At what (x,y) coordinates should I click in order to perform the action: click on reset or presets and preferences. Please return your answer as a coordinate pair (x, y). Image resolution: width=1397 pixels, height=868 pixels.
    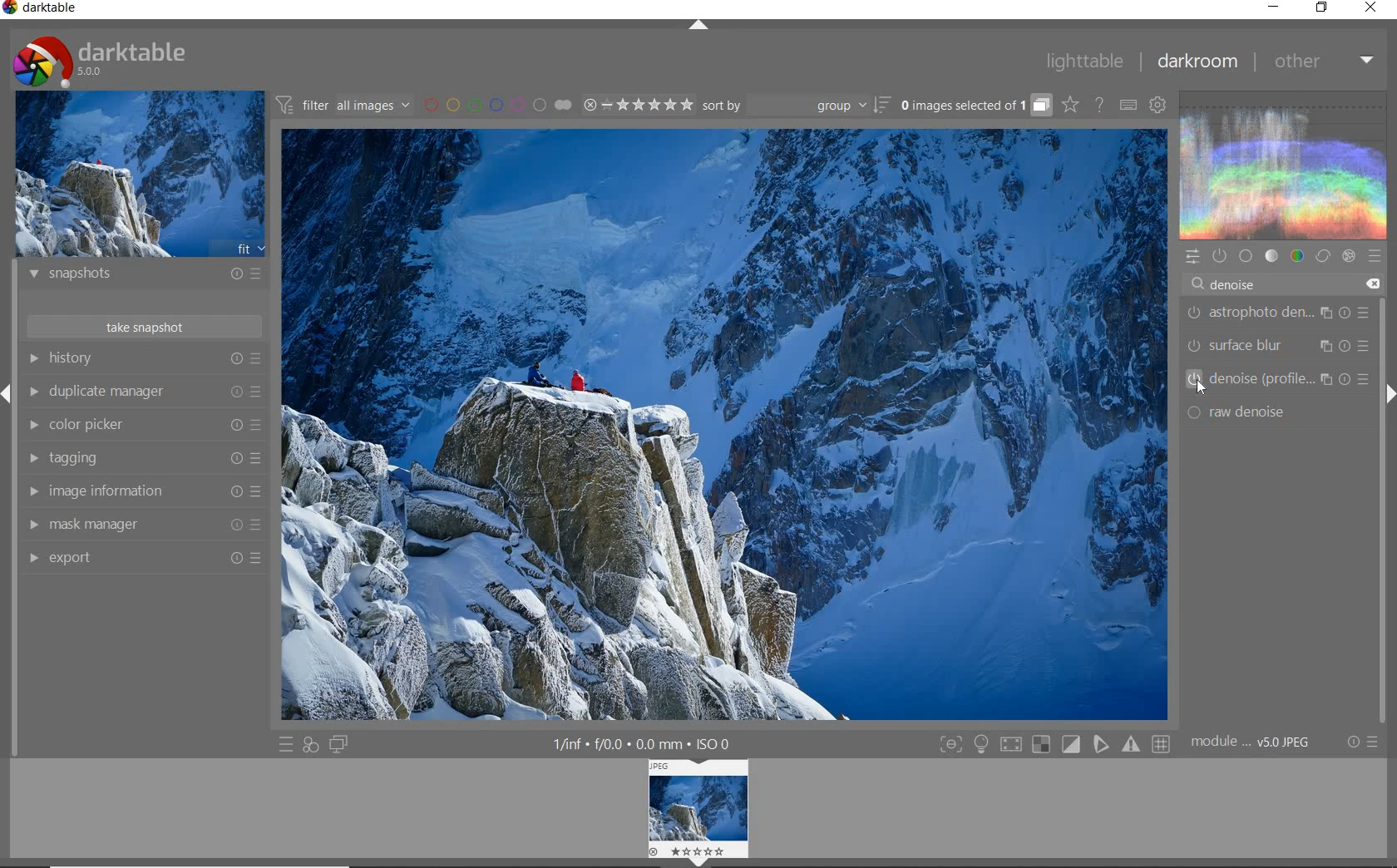
    Looking at the image, I should click on (1365, 742).